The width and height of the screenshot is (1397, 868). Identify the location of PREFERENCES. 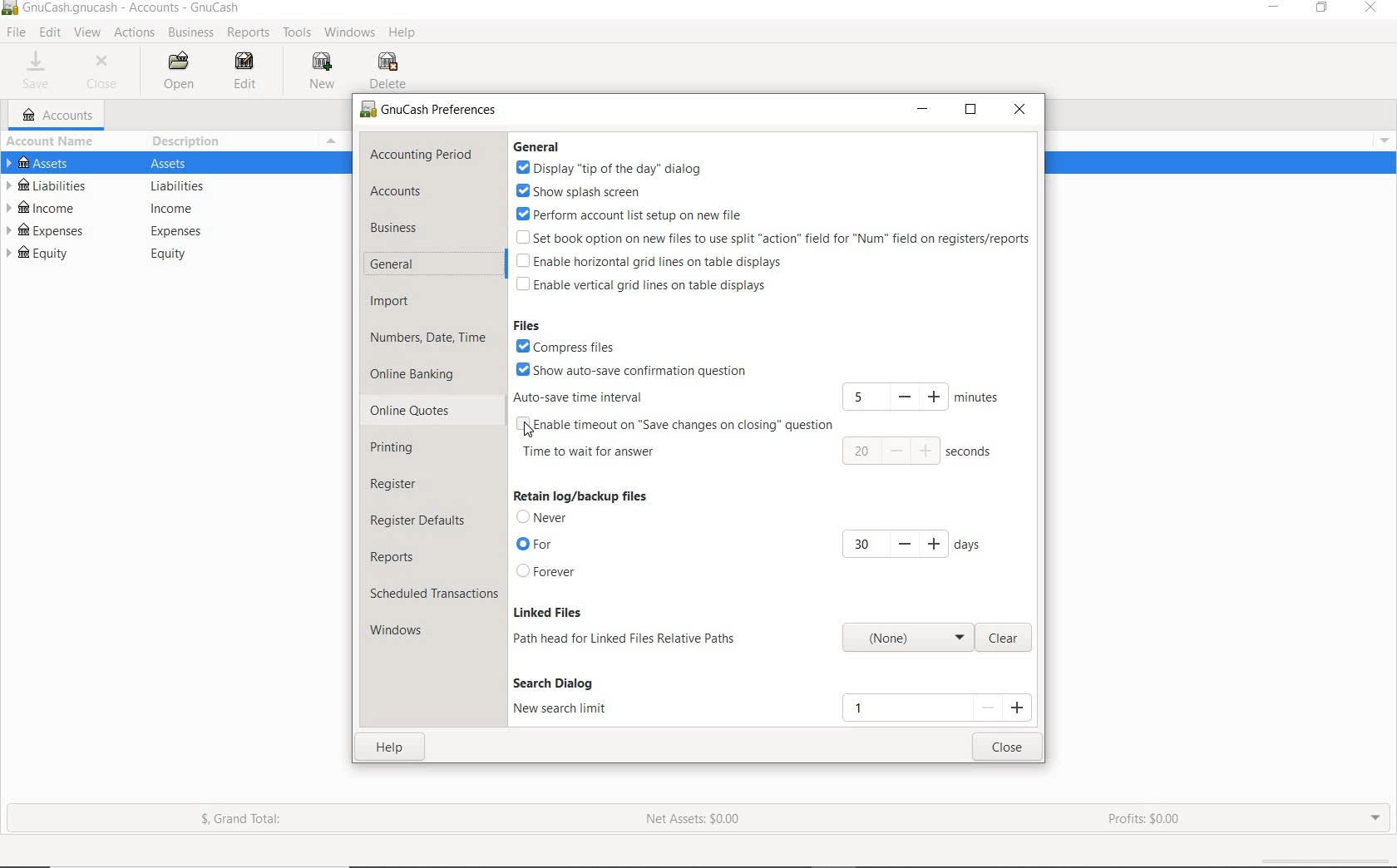
(427, 111).